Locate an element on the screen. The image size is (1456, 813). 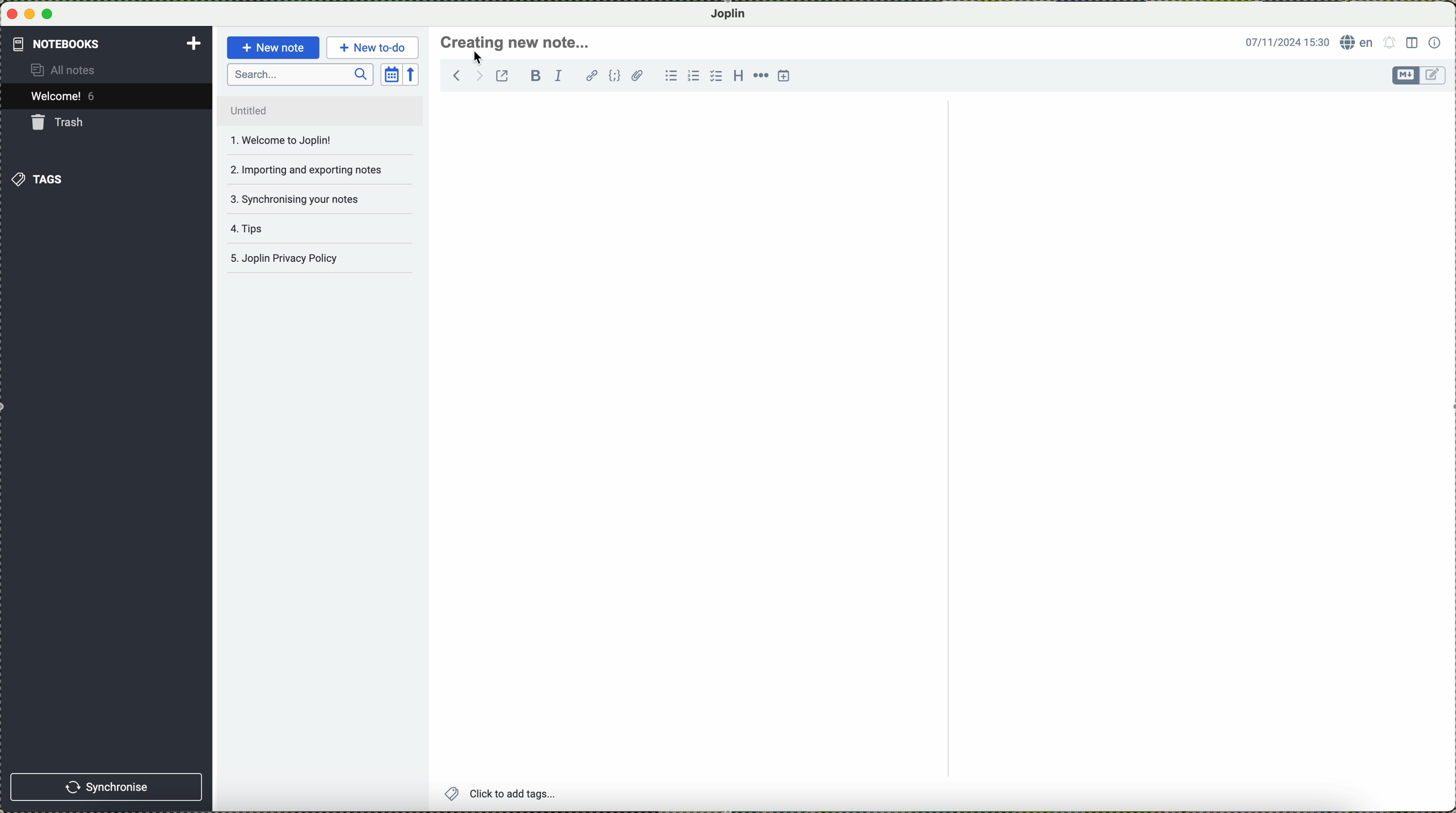
tips is located at coordinates (298, 233).